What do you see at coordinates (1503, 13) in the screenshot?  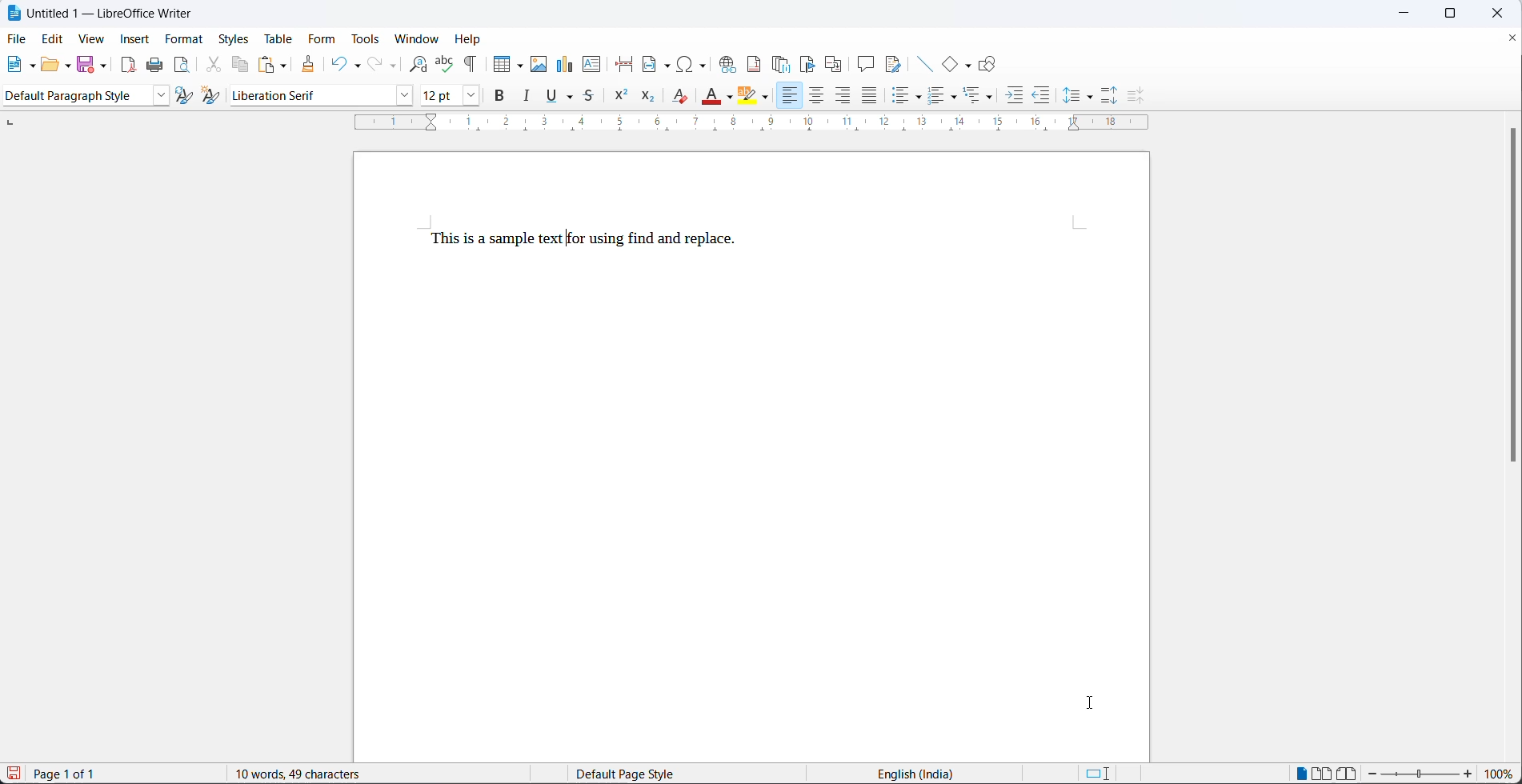 I see `close` at bounding box center [1503, 13].